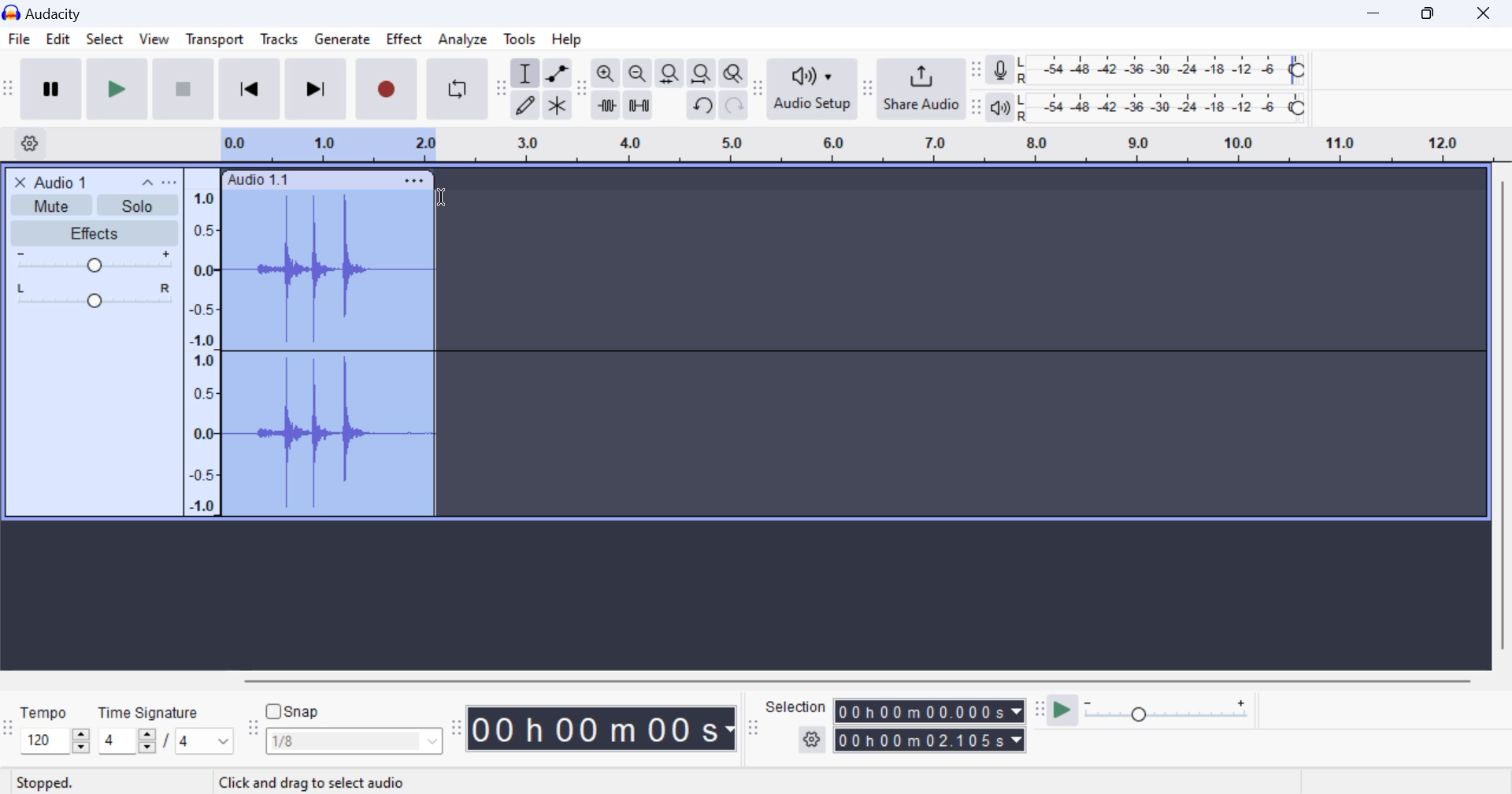  What do you see at coordinates (735, 75) in the screenshot?
I see `zoom toggle` at bounding box center [735, 75].